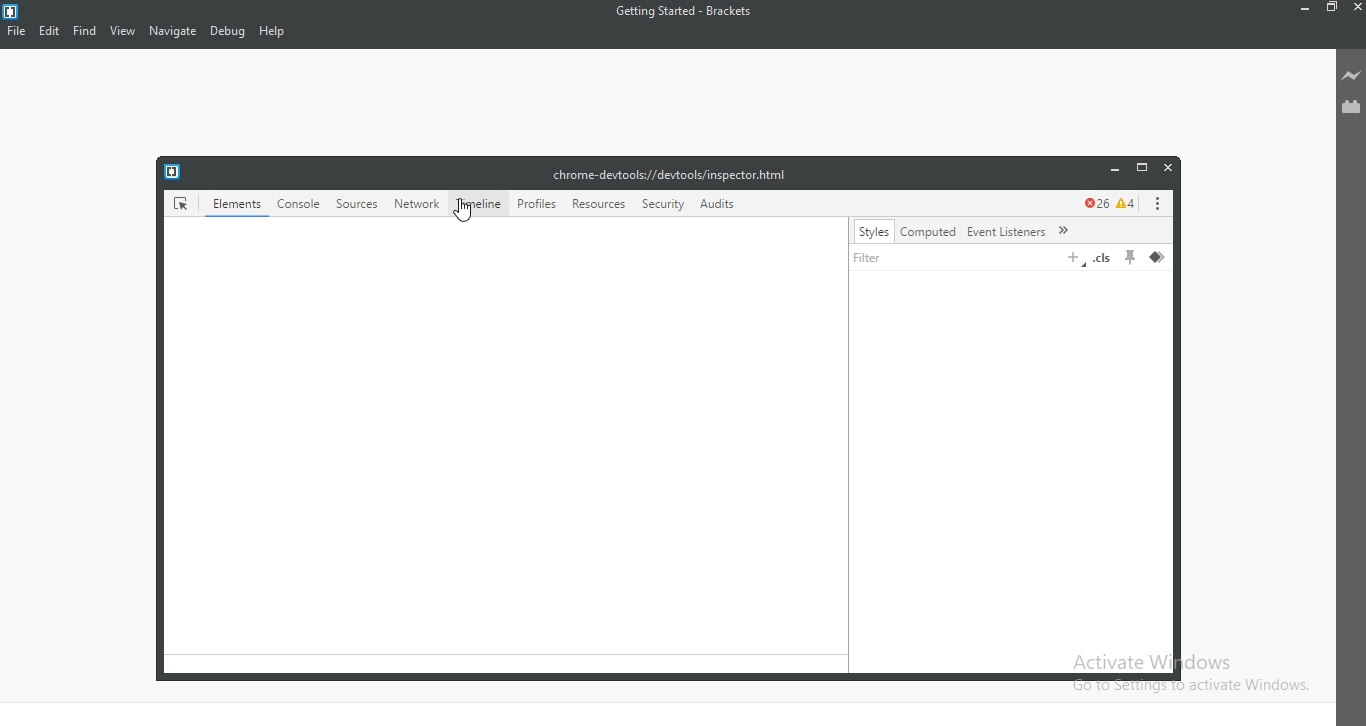 This screenshot has width=1366, height=726. What do you see at coordinates (1116, 169) in the screenshot?
I see `minimize` at bounding box center [1116, 169].